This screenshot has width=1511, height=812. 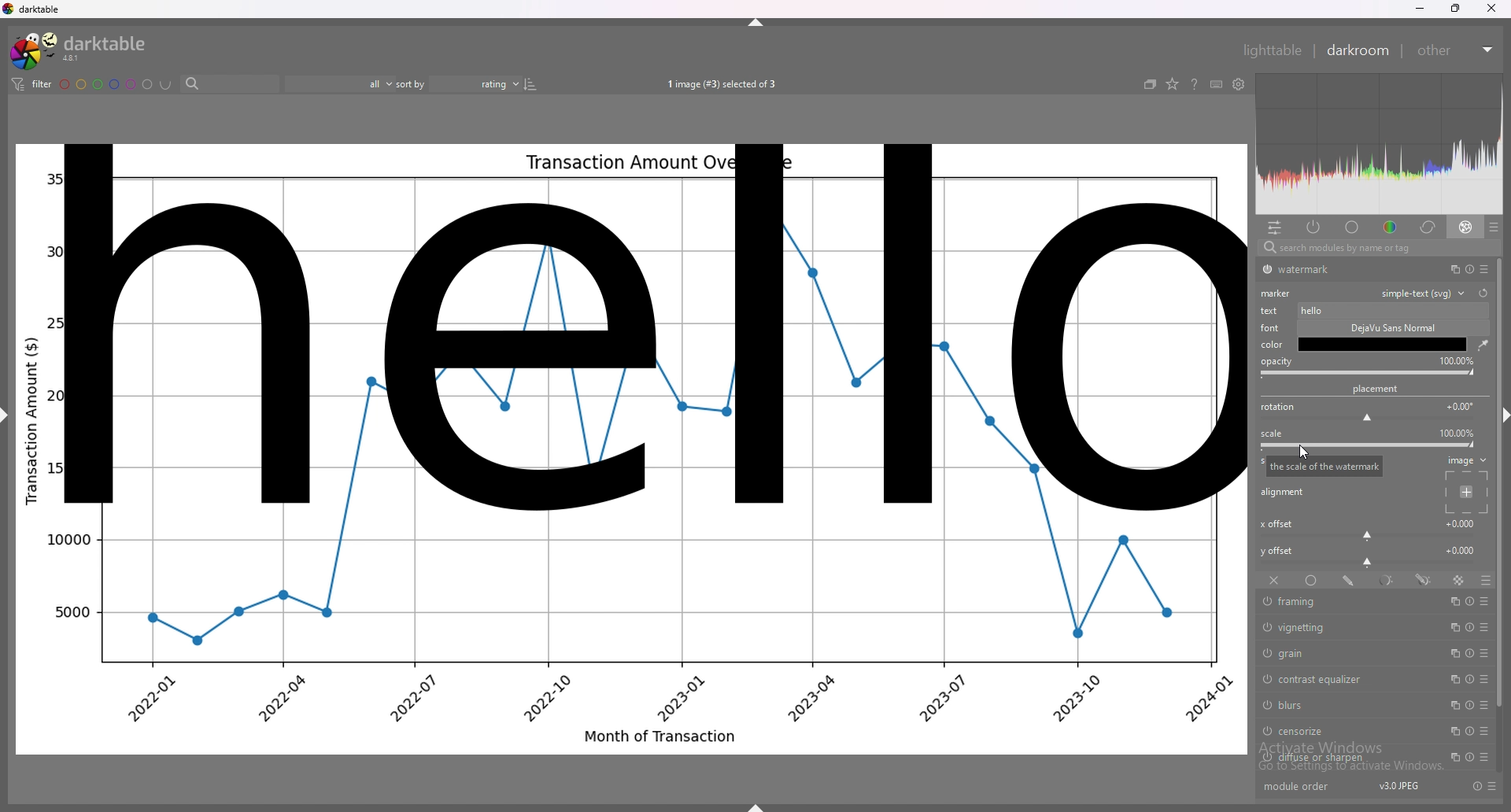 What do you see at coordinates (1470, 731) in the screenshot?
I see `reset` at bounding box center [1470, 731].